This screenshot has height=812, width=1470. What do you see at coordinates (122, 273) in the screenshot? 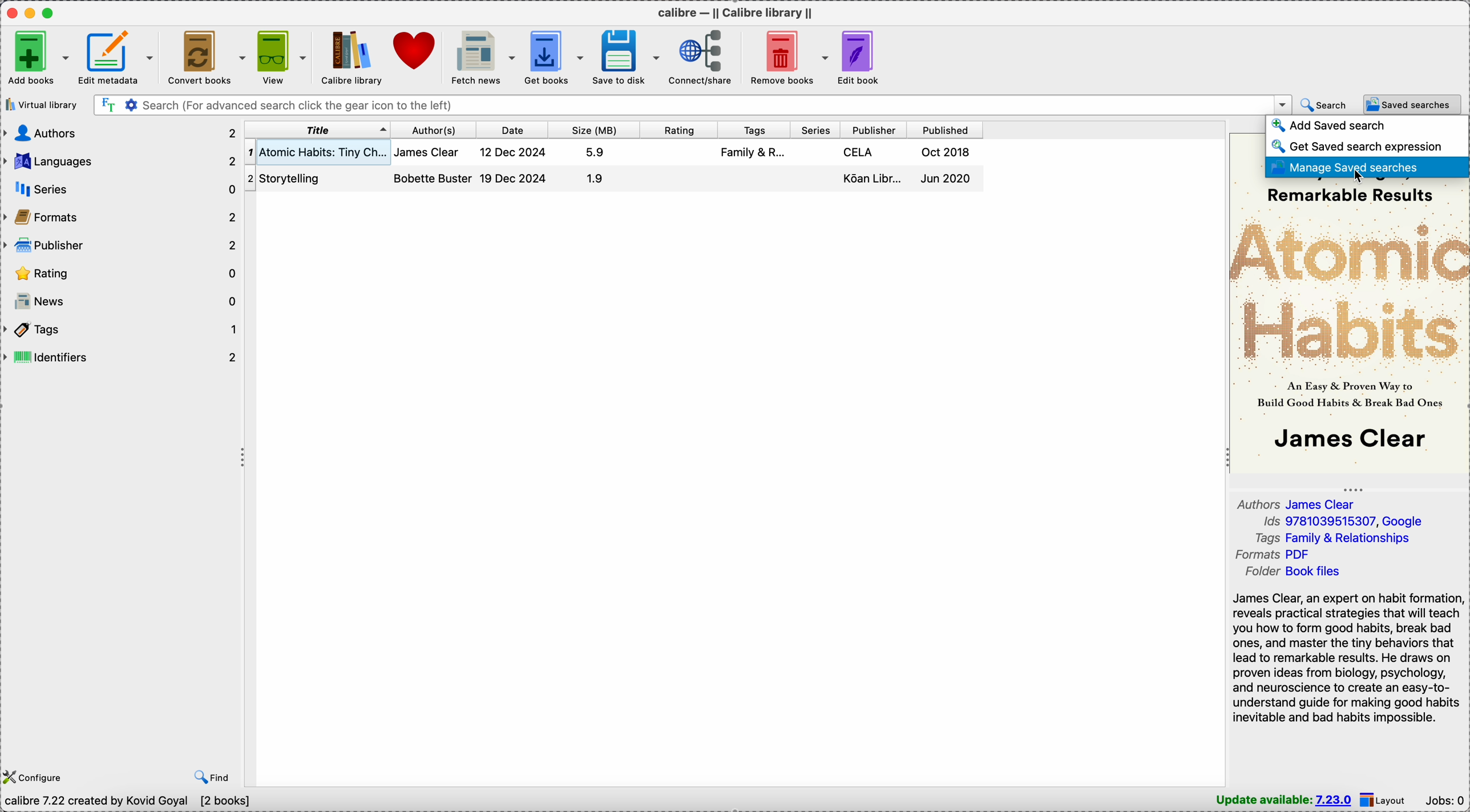
I see `rating` at bounding box center [122, 273].